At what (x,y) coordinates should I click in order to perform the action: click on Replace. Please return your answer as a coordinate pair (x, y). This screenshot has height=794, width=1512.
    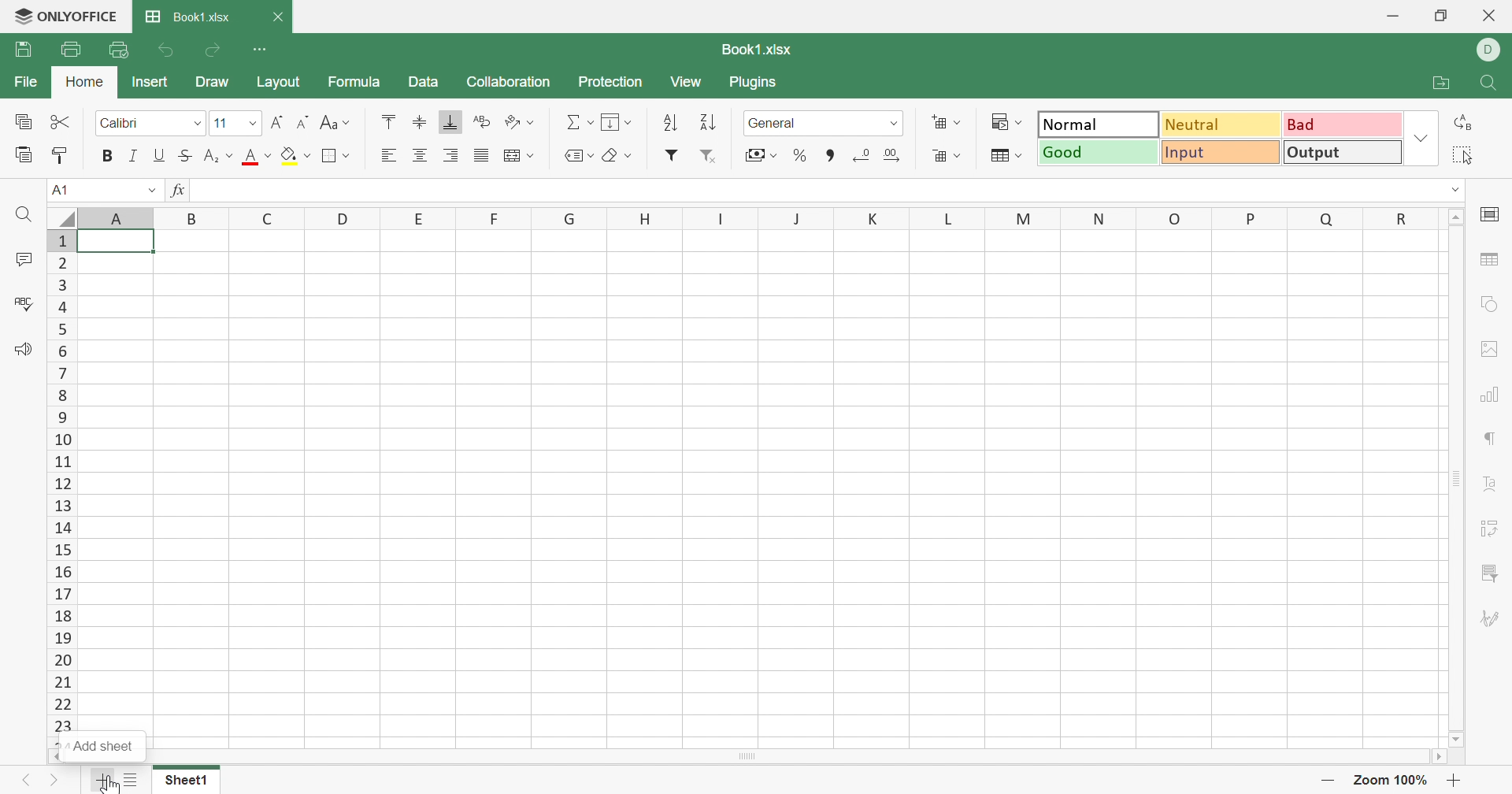
    Looking at the image, I should click on (1459, 124).